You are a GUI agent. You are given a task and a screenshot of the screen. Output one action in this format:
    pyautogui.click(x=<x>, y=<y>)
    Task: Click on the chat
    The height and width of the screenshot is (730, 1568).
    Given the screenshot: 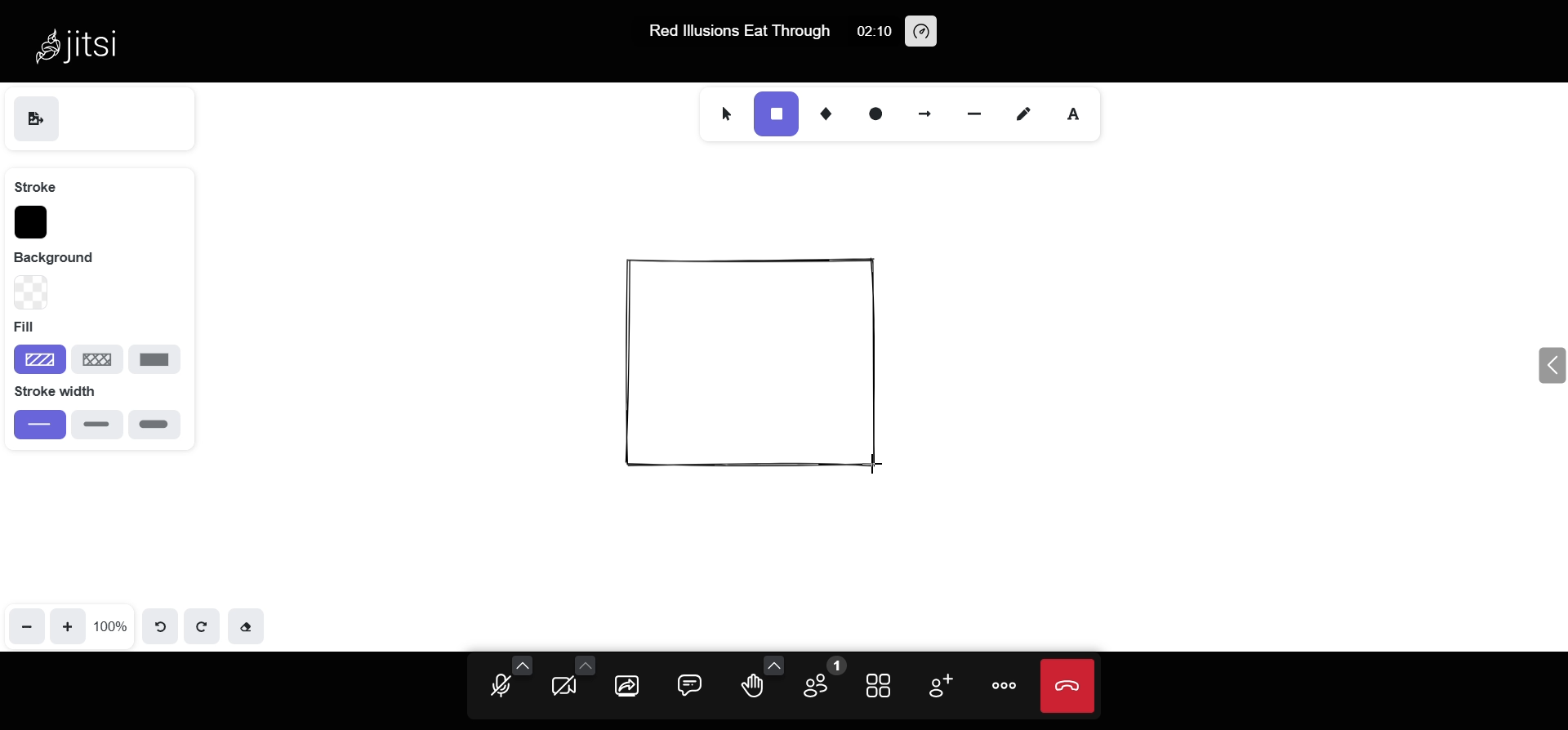 What is the action you would take?
    pyautogui.click(x=690, y=683)
    